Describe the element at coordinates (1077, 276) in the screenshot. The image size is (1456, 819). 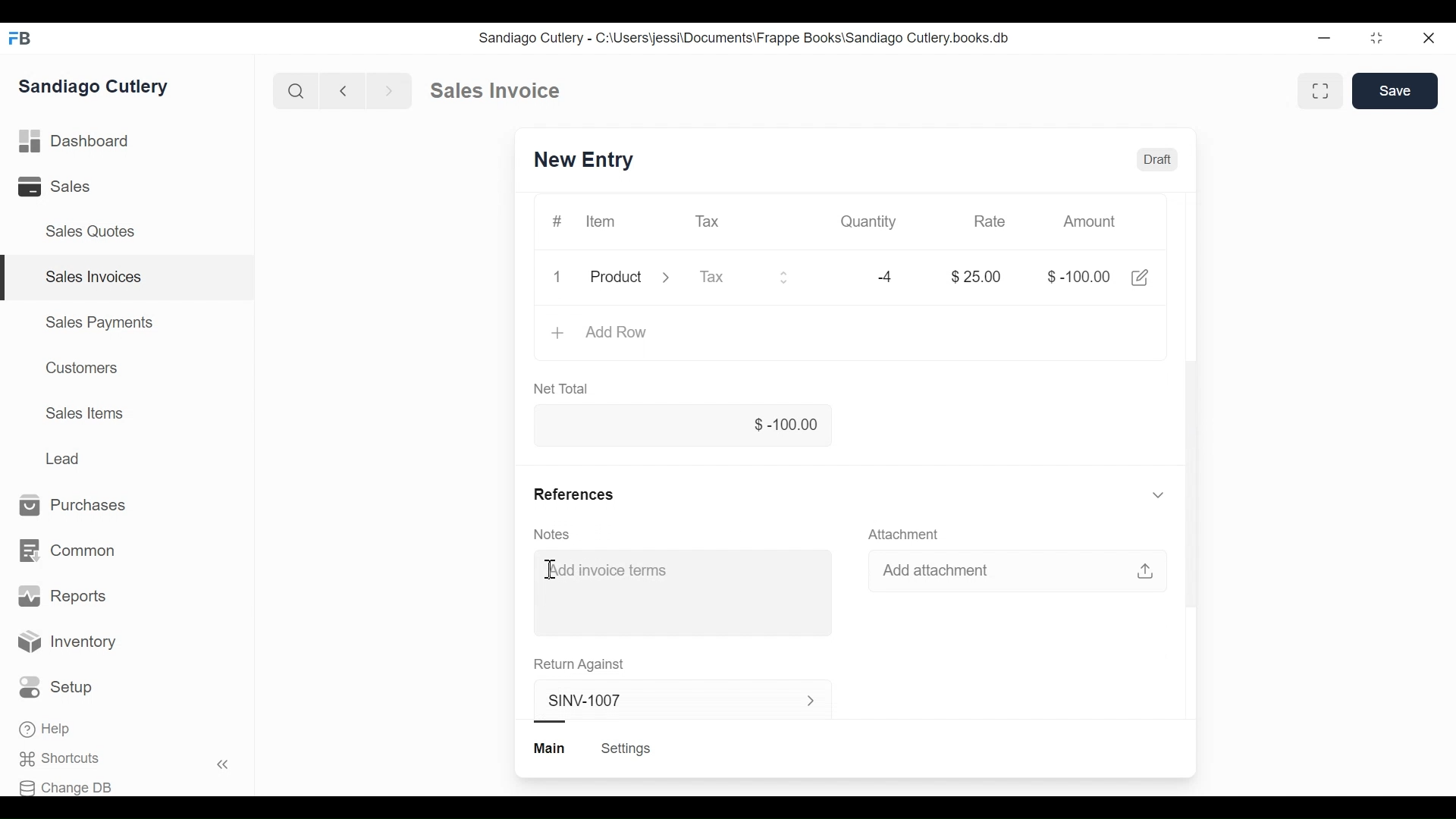
I see `$-100.00` at that location.